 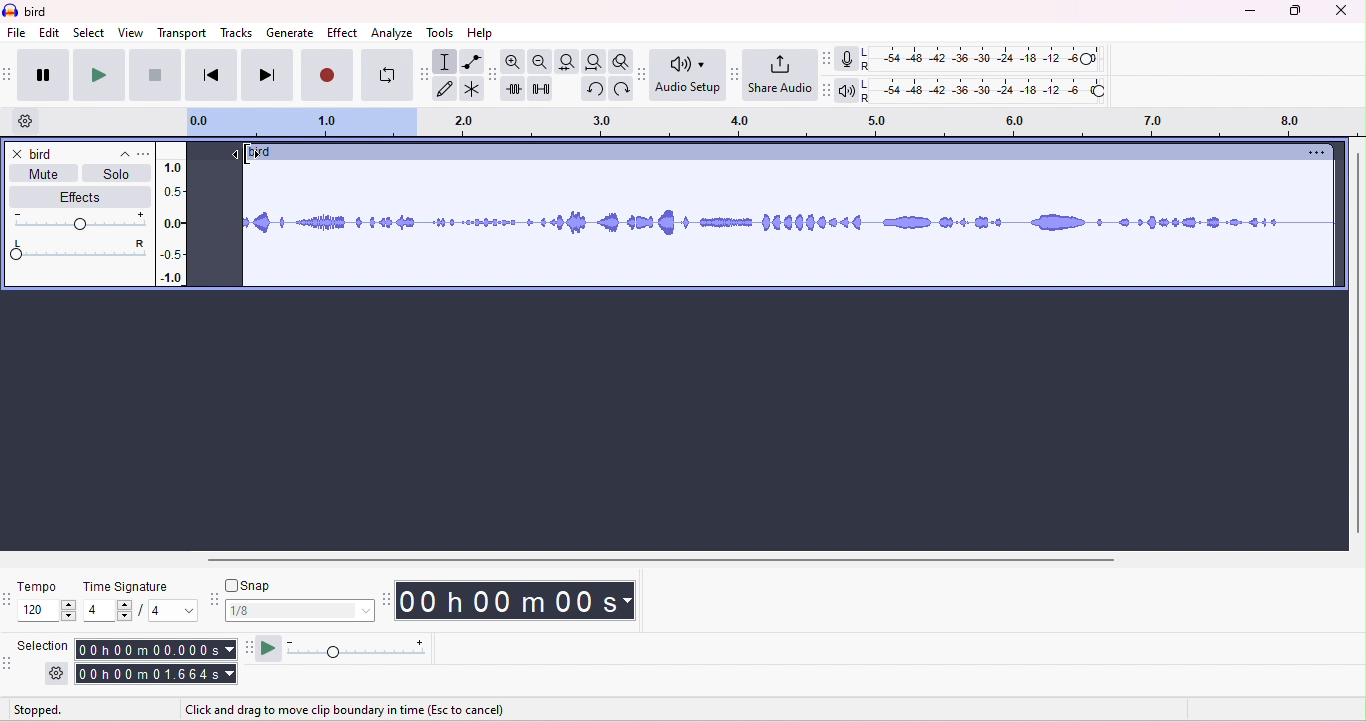 What do you see at coordinates (846, 90) in the screenshot?
I see `playback meter` at bounding box center [846, 90].